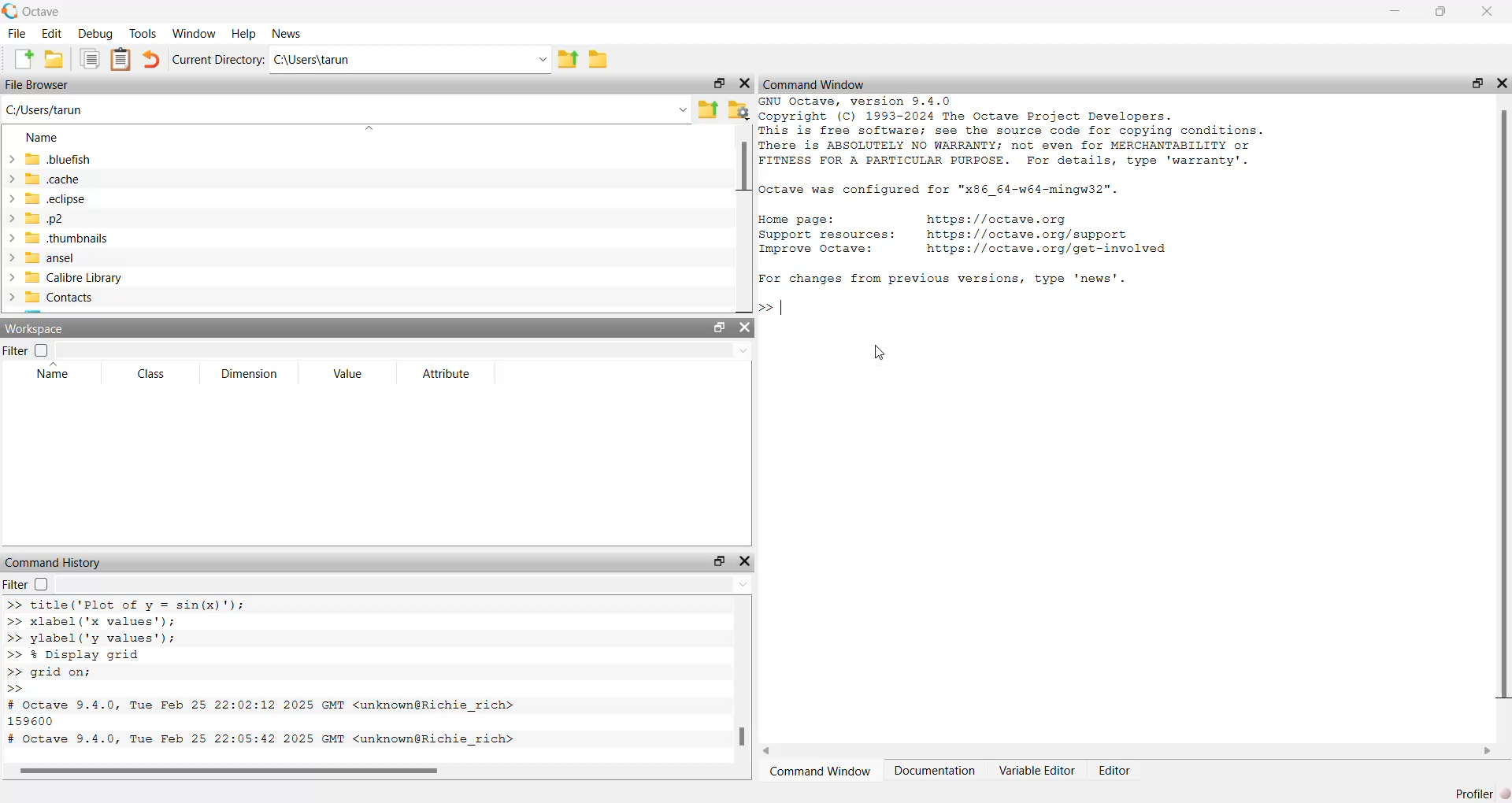 This screenshot has width=1512, height=803. What do you see at coordinates (821, 772) in the screenshot?
I see `Command Window` at bounding box center [821, 772].